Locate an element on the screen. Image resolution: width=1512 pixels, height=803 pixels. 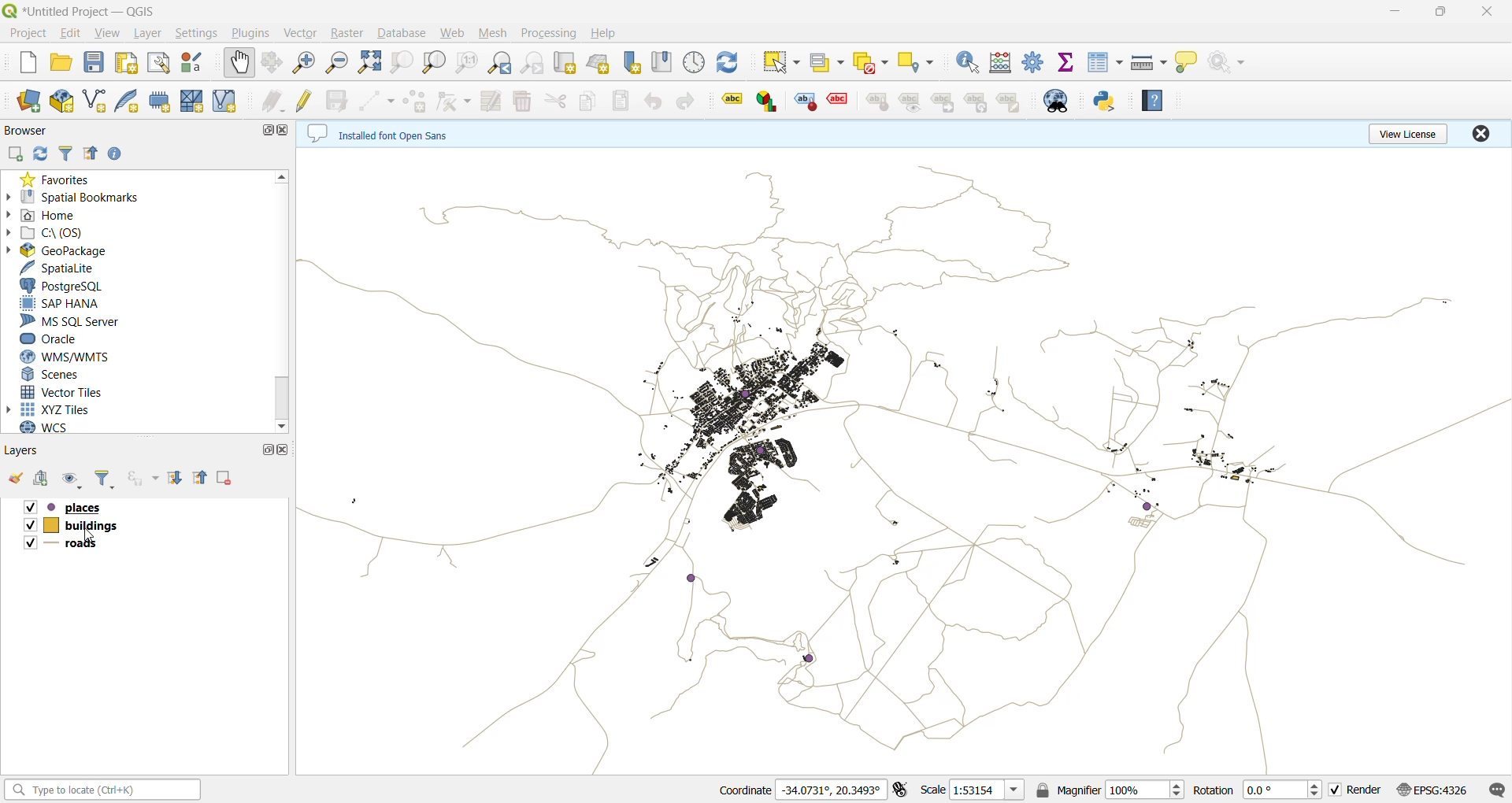
python is located at coordinates (1105, 102).